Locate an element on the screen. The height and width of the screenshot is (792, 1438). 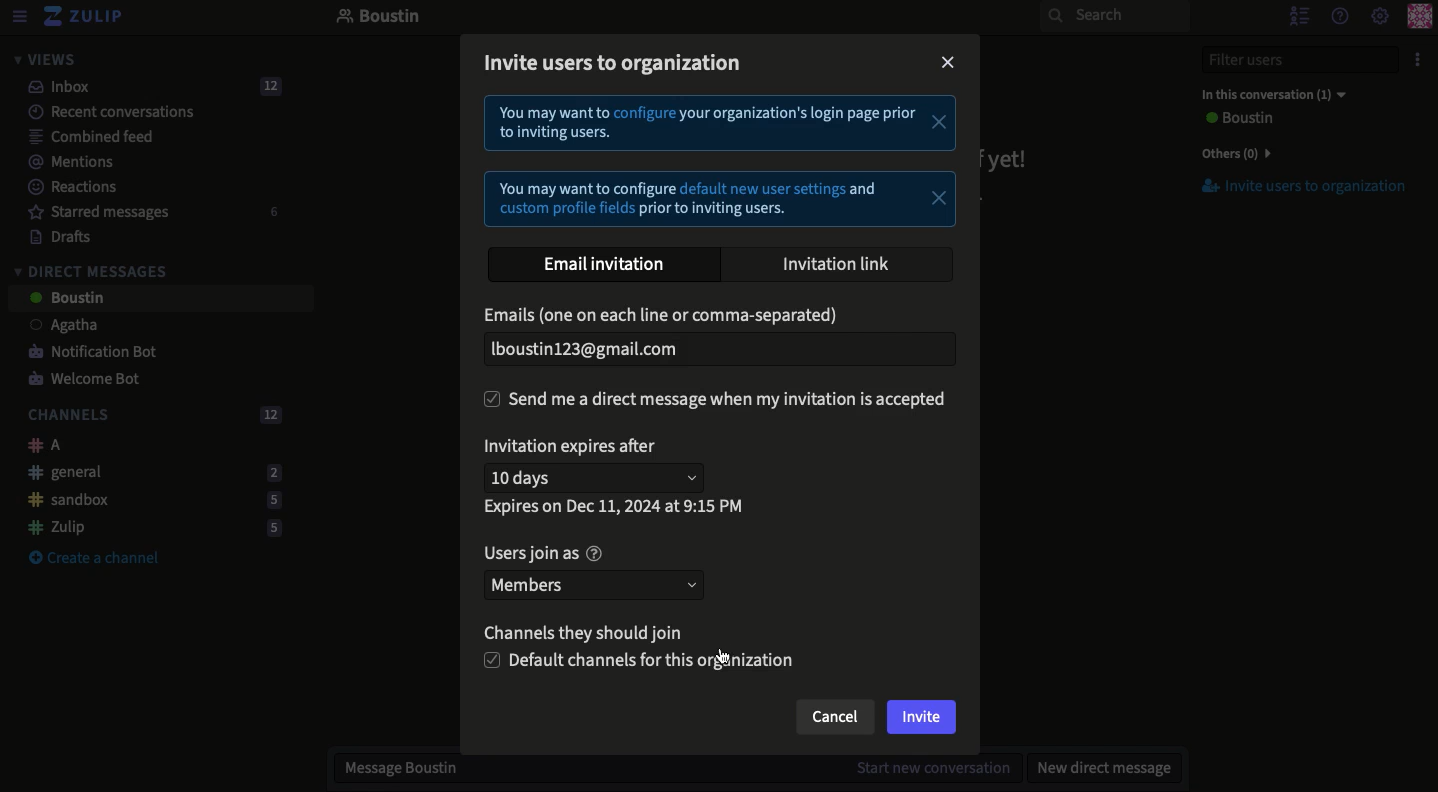
Zulip is located at coordinates (148, 527).